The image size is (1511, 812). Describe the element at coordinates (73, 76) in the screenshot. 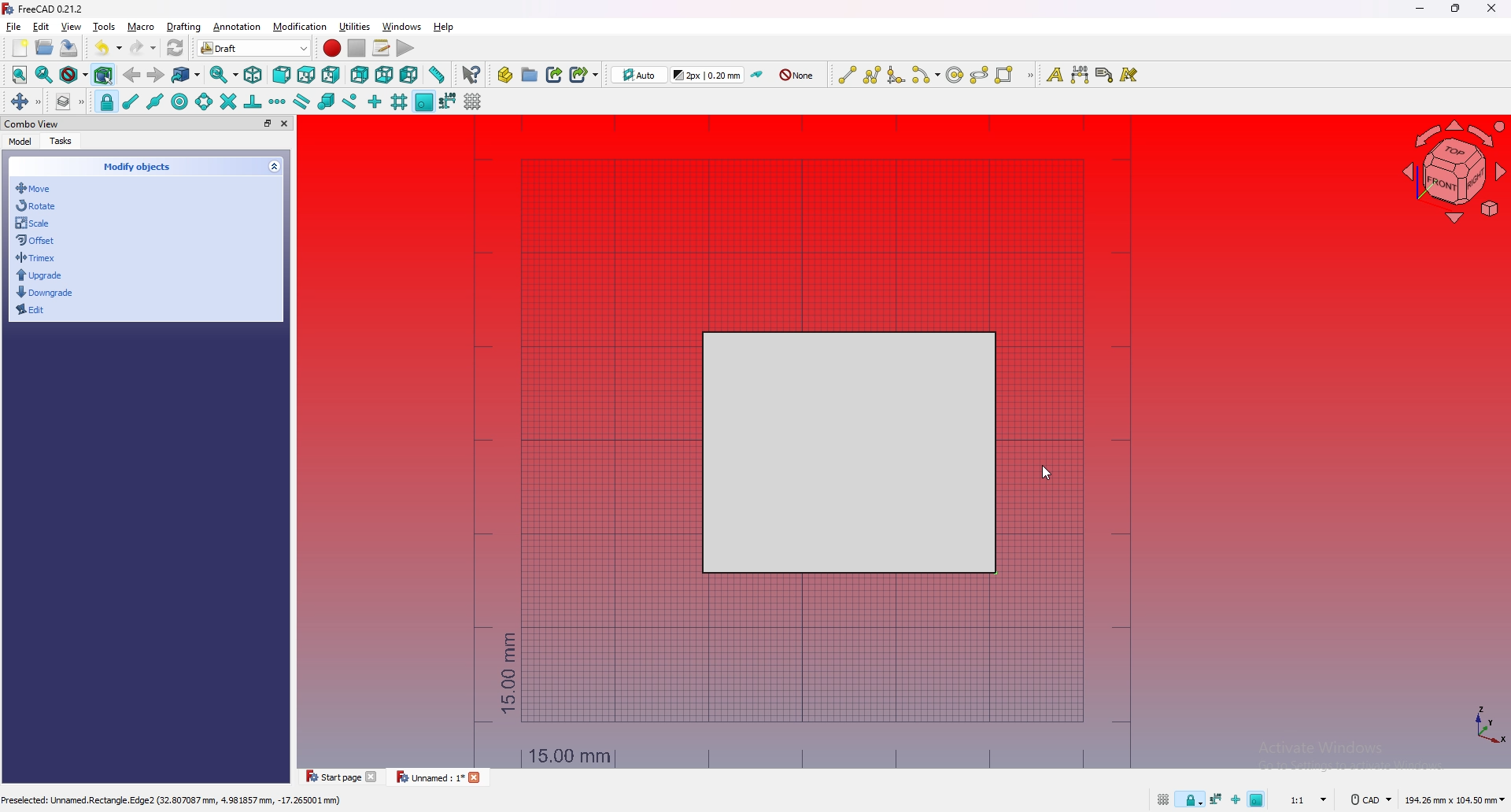

I see `draw style` at that location.